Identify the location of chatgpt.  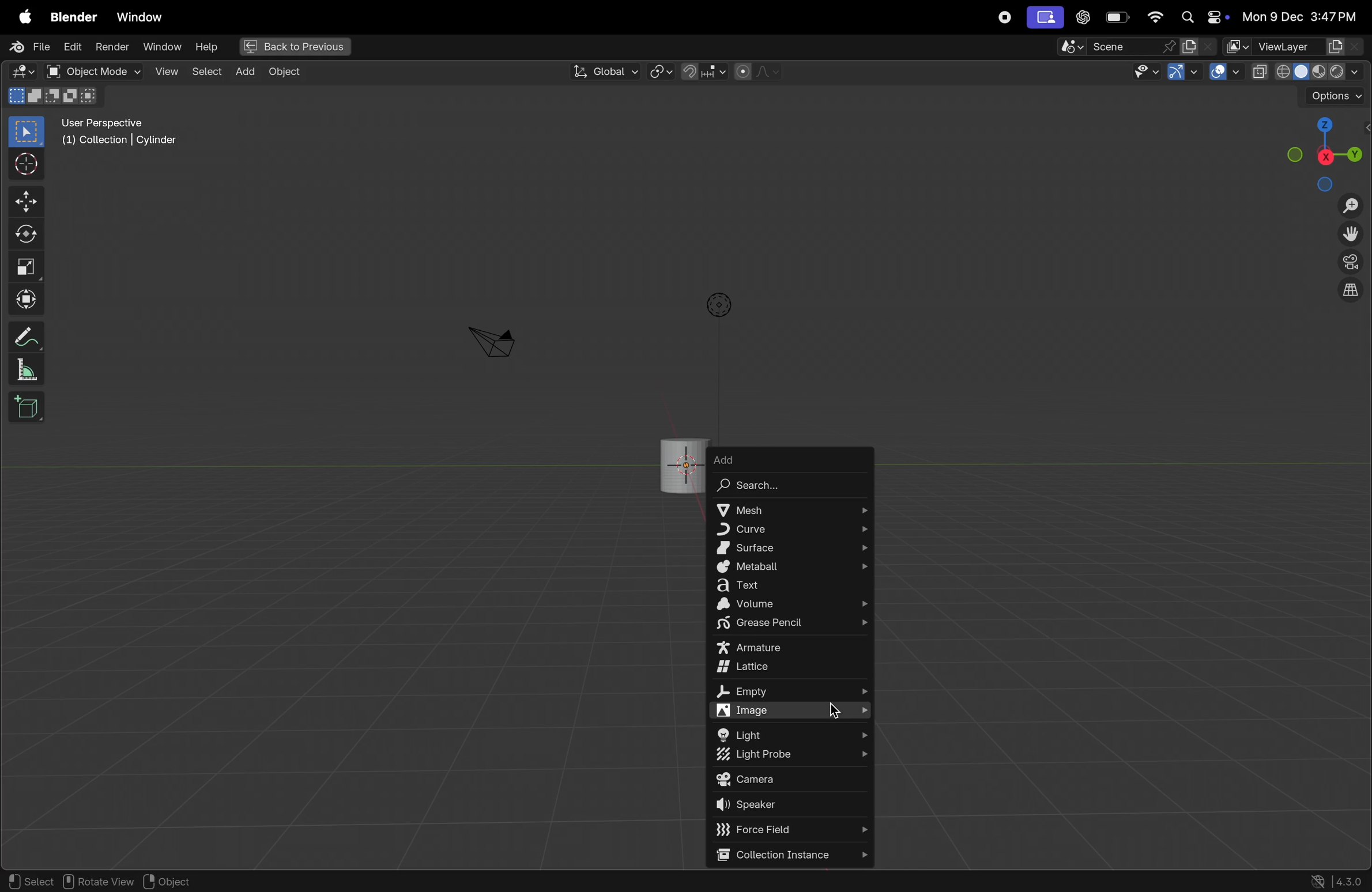
(1083, 18).